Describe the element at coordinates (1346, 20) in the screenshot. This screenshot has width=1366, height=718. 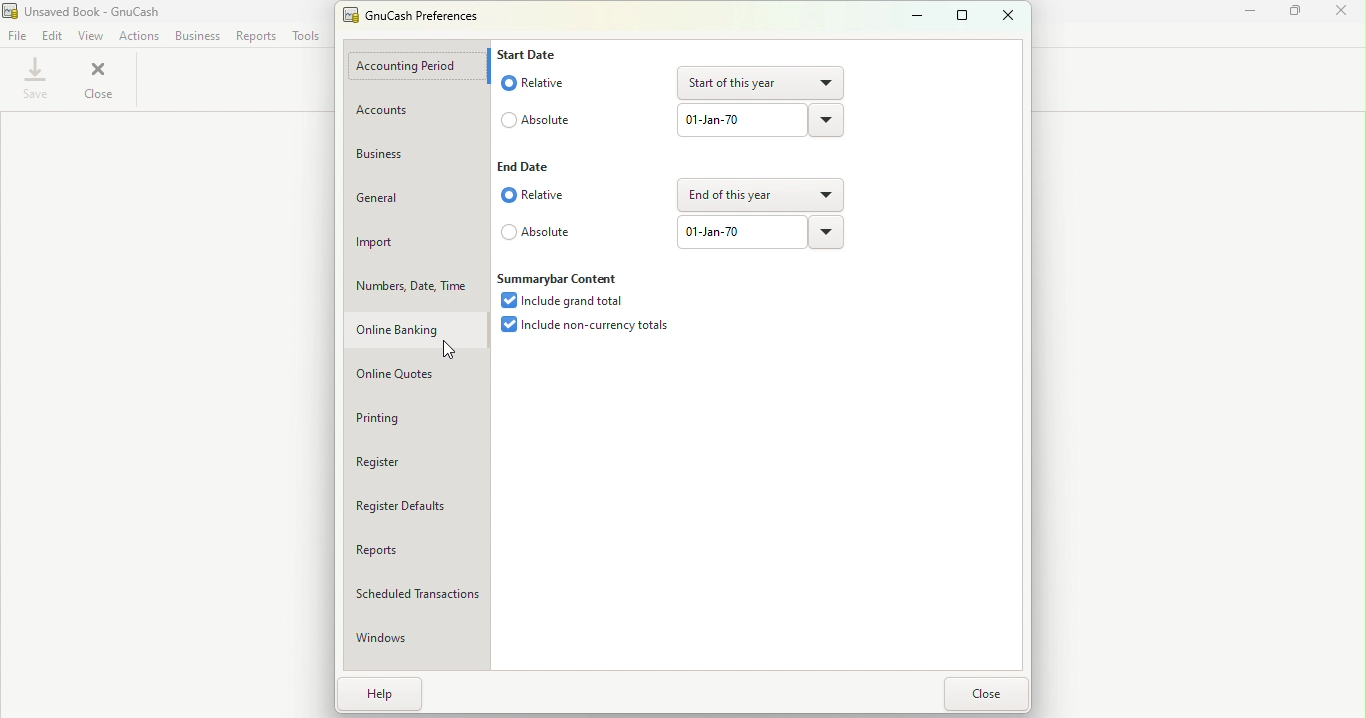
I see `Close` at that location.